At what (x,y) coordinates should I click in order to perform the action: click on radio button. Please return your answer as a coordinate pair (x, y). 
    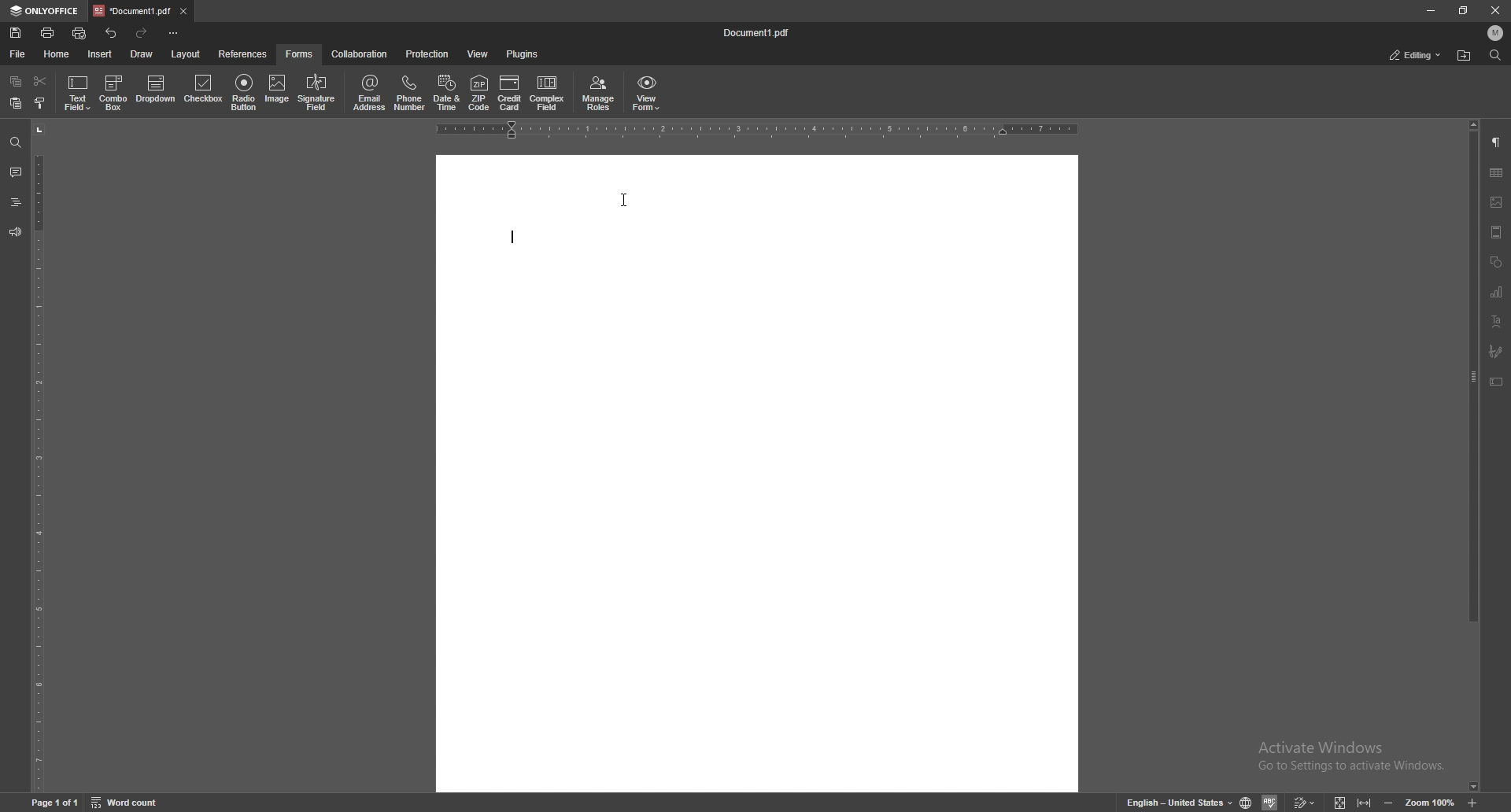
    Looking at the image, I should click on (244, 90).